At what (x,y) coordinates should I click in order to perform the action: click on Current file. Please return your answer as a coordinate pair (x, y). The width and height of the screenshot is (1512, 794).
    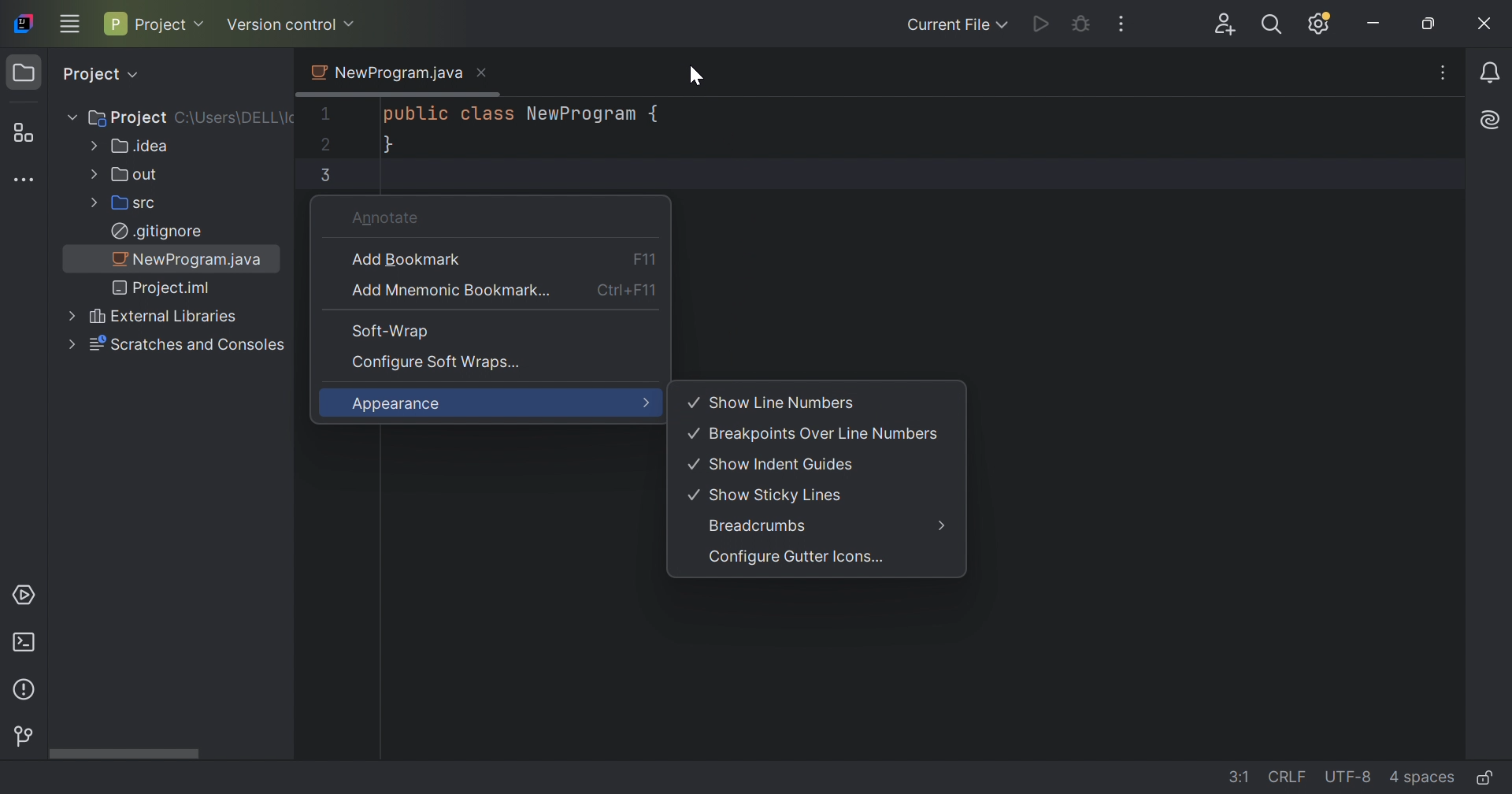
    Looking at the image, I should click on (944, 27).